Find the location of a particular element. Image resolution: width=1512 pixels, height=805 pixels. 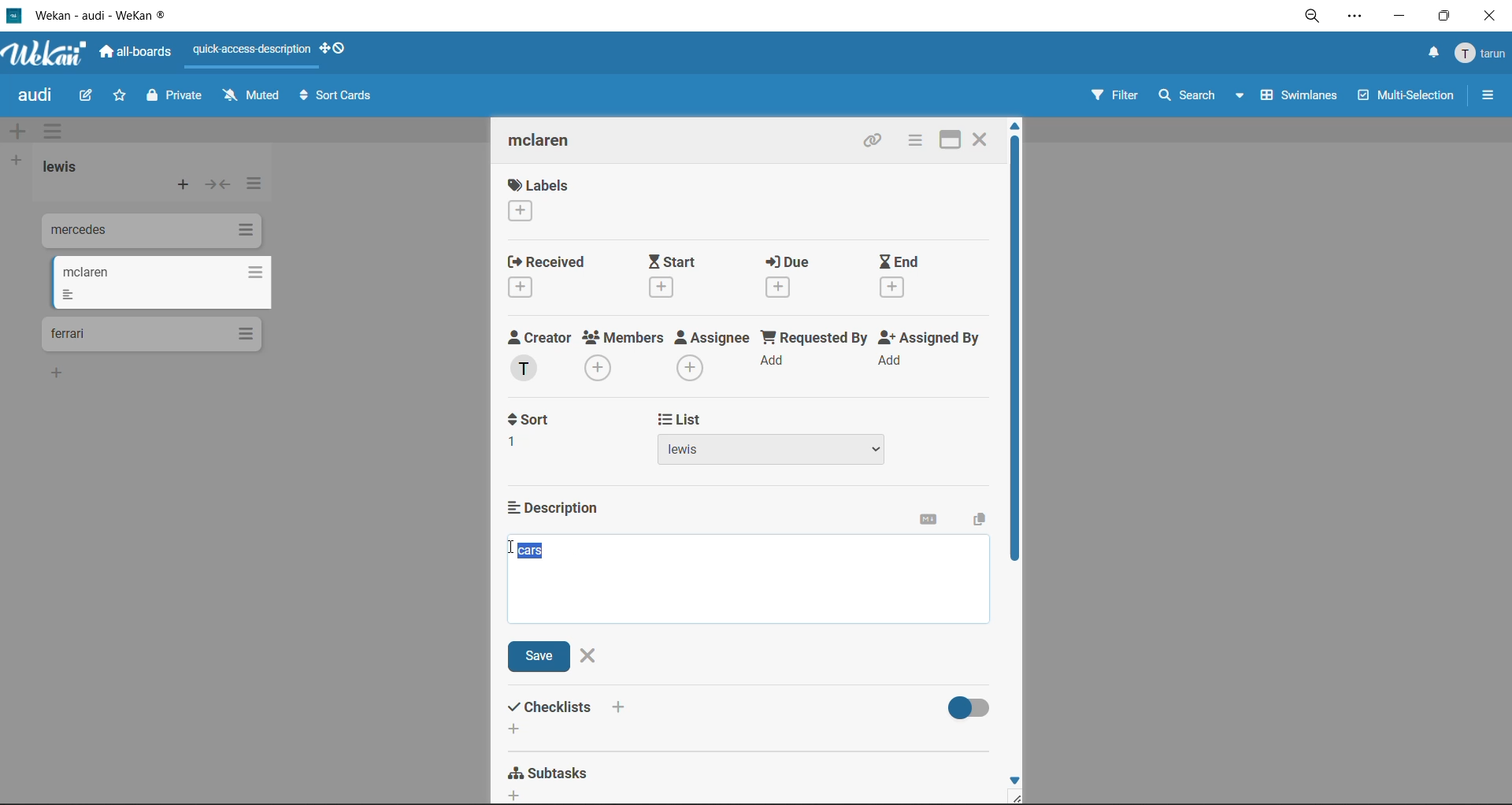

cards is located at coordinates (160, 283).